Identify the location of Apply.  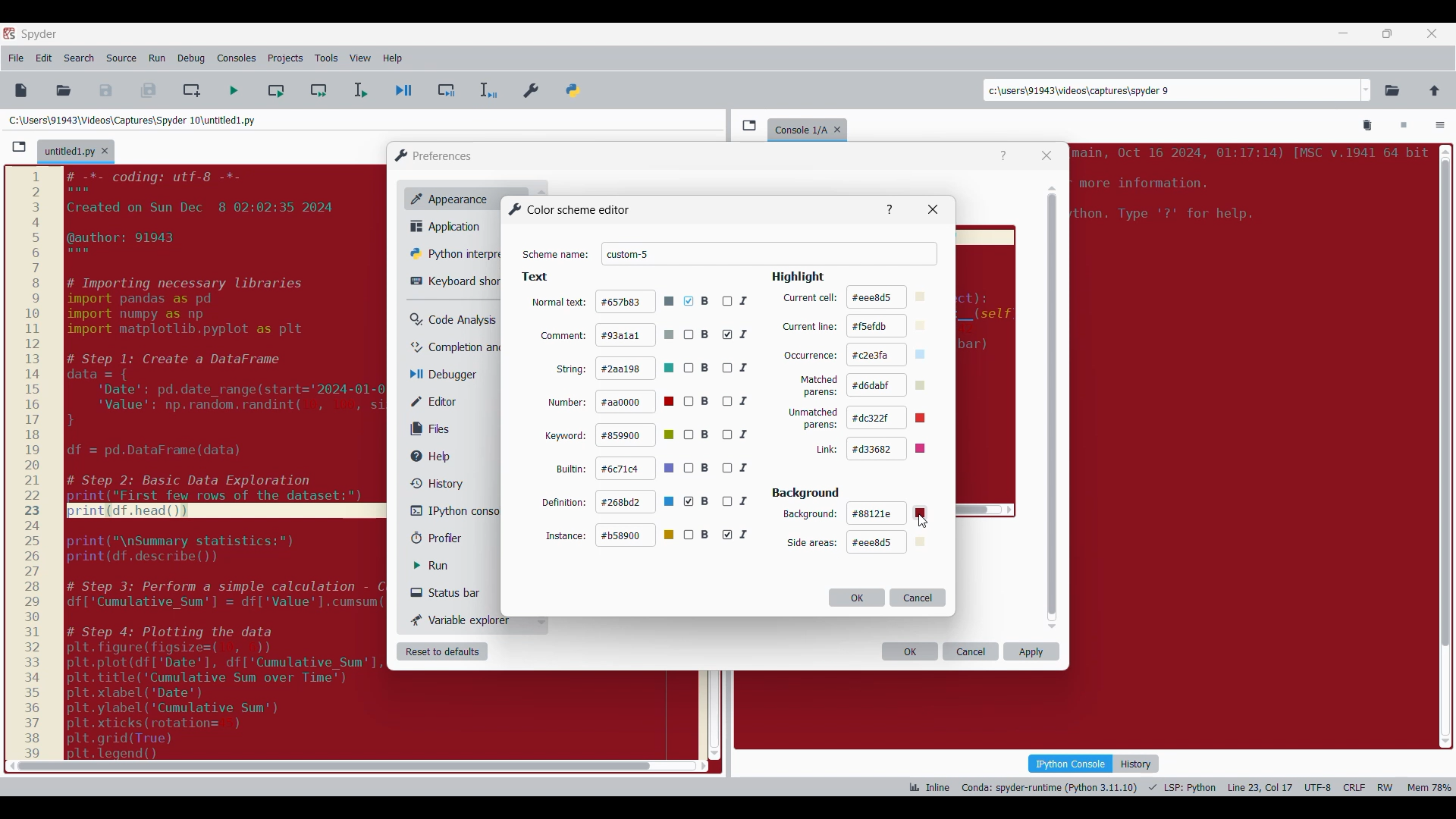
(1031, 651).